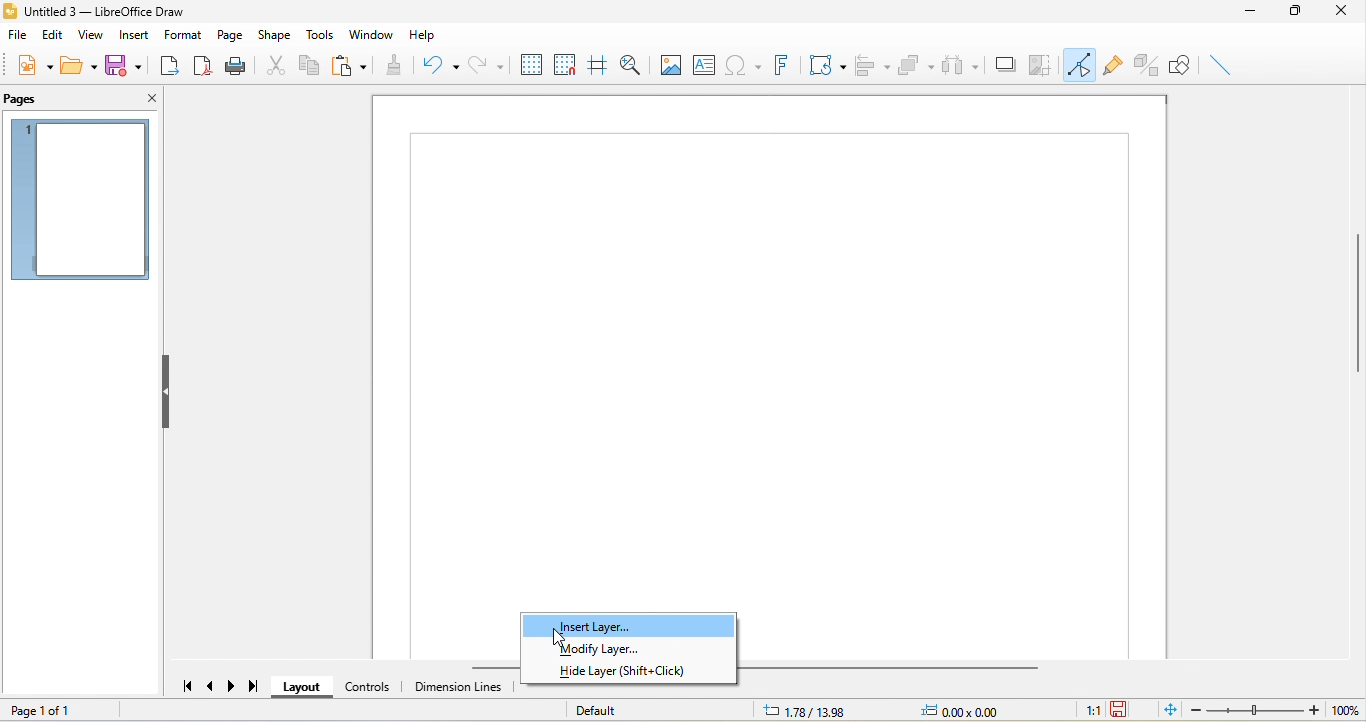 The image size is (1366, 722). Describe the element at coordinates (274, 35) in the screenshot. I see `shape` at that location.